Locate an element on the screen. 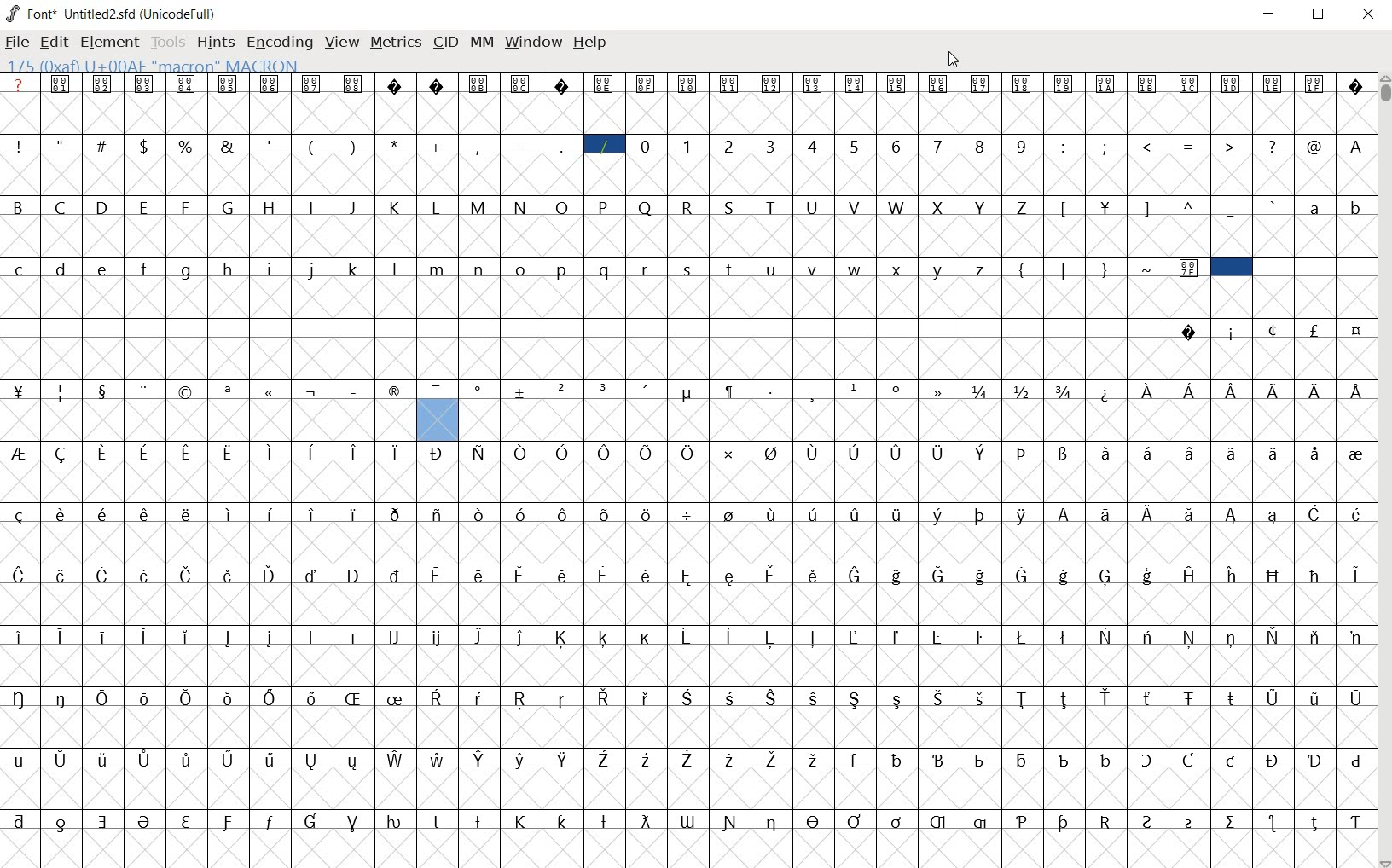 The height and width of the screenshot is (868, 1392). S is located at coordinates (730, 208).